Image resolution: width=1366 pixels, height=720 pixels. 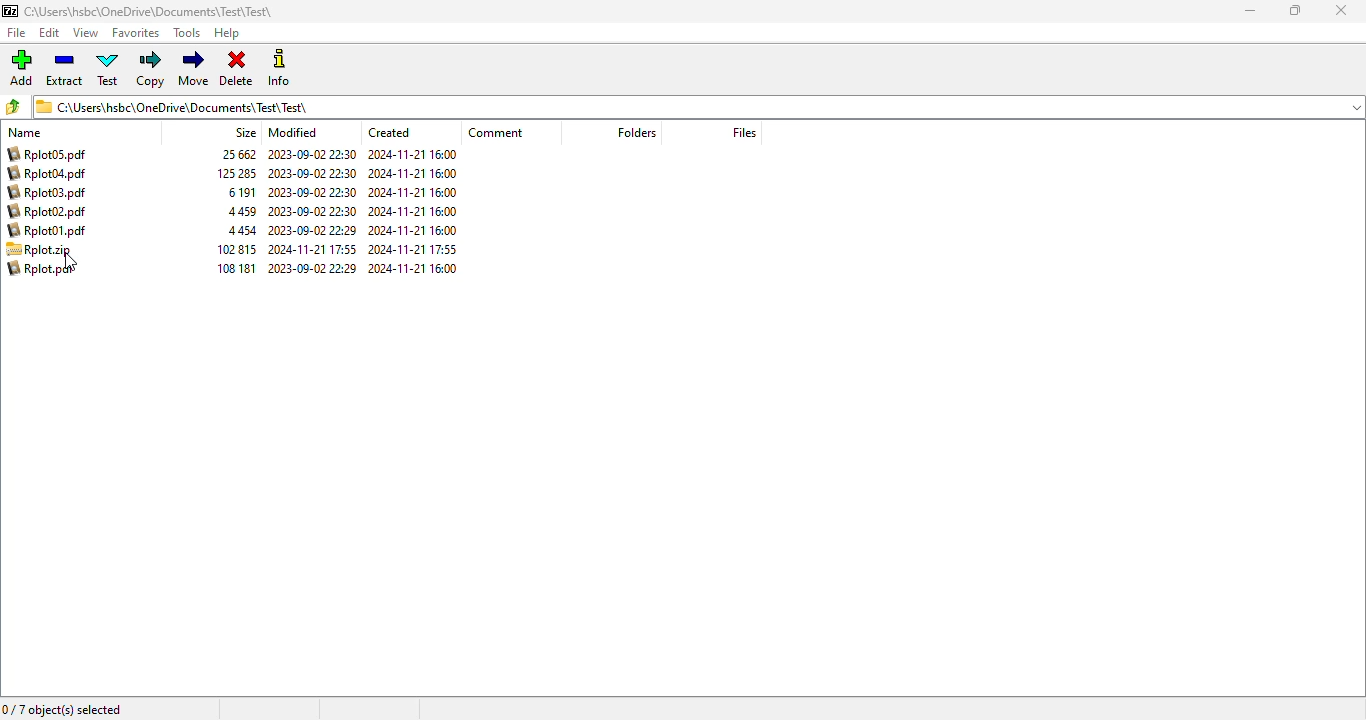 What do you see at coordinates (1296, 10) in the screenshot?
I see `maximize` at bounding box center [1296, 10].